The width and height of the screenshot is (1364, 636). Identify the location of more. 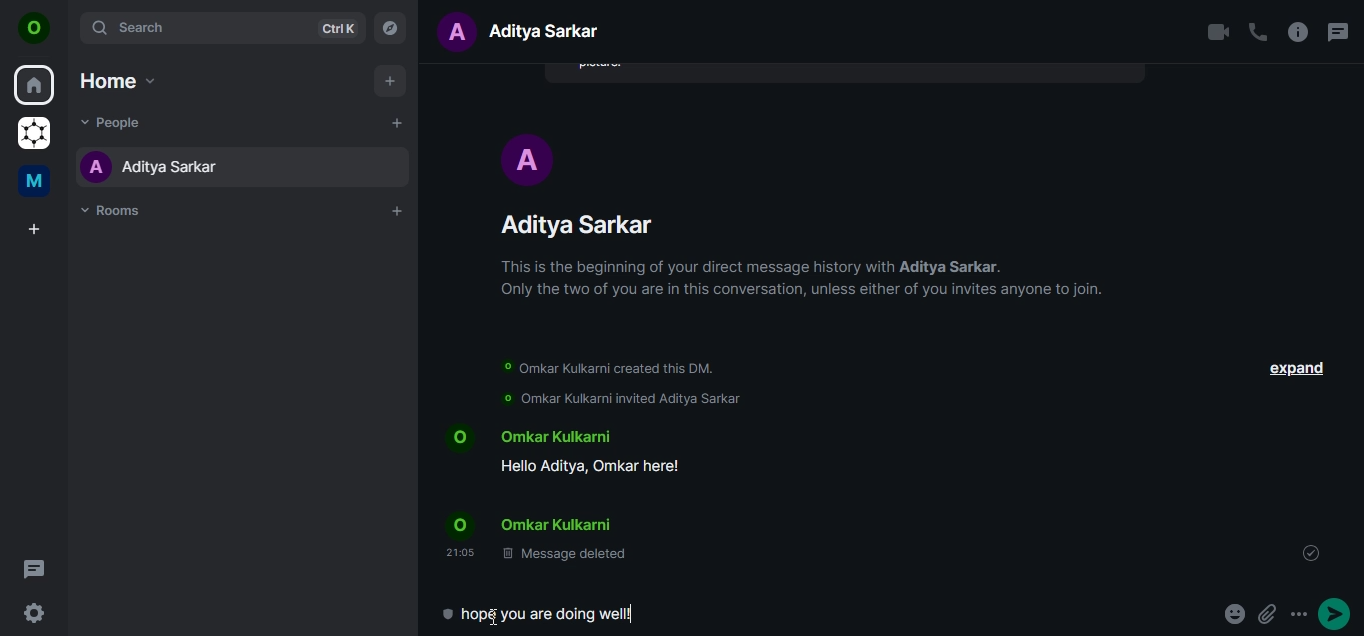
(1298, 615).